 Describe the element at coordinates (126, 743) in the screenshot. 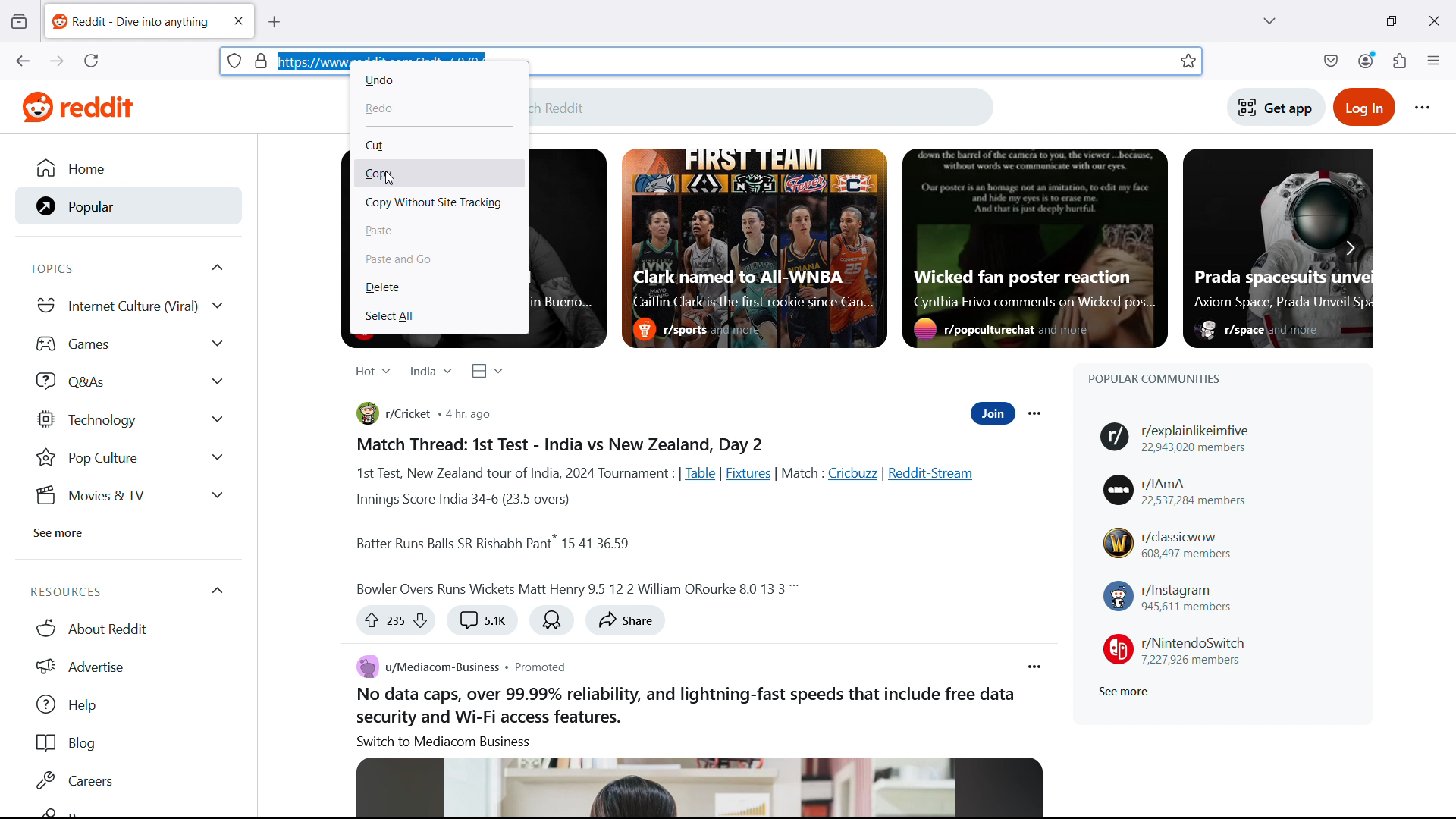

I see `Blog` at that location.